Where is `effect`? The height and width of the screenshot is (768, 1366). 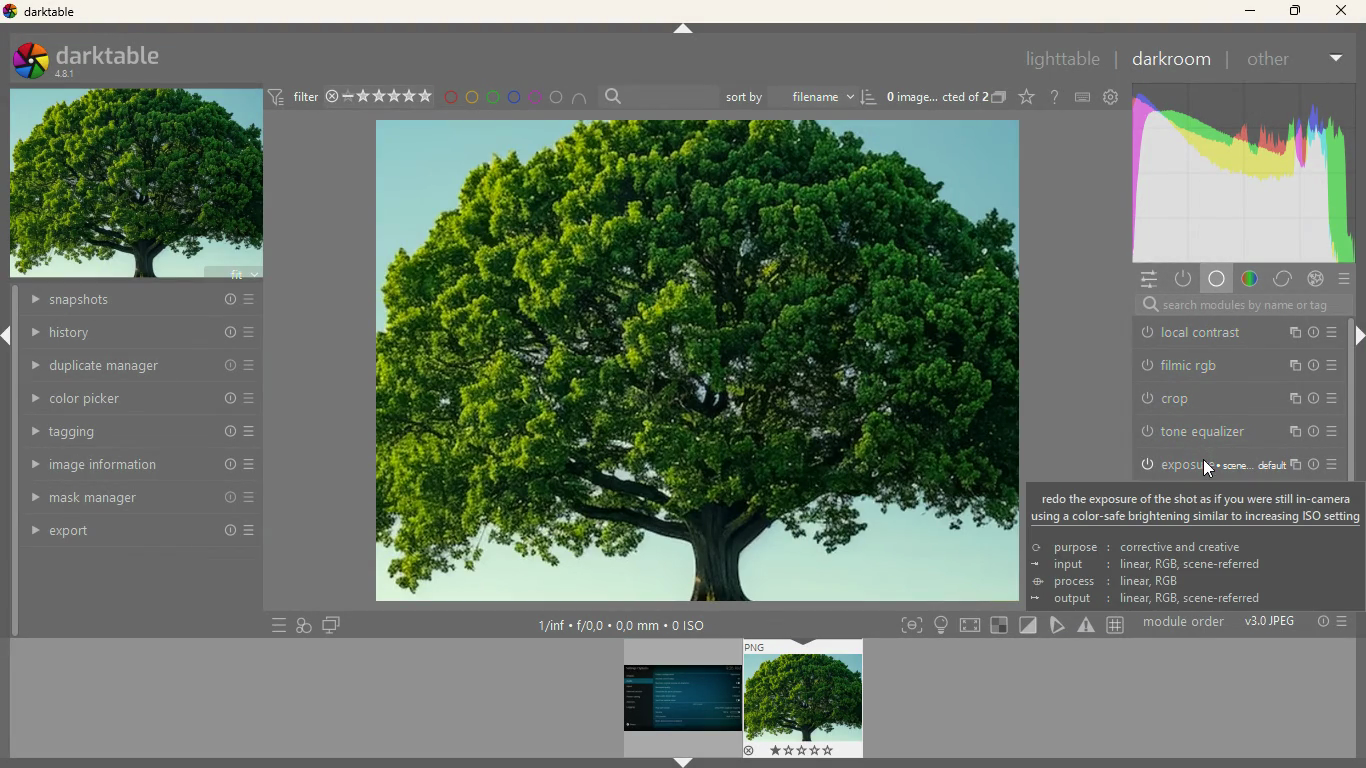
effect is located at coordinates (1316, 280).